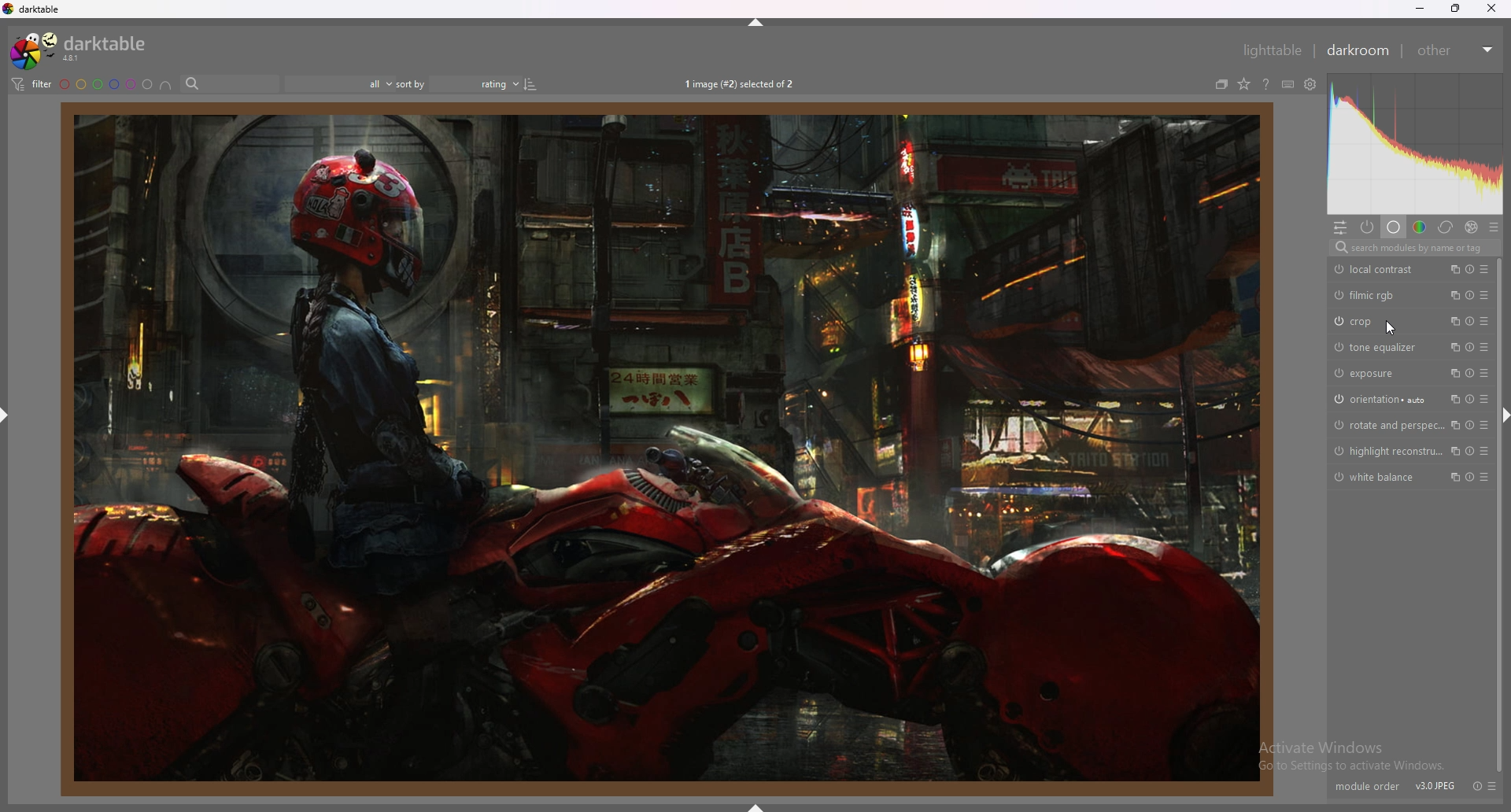 Image resolution: width=1511 pixels, height=812 pixels. What do you see at coordinates (1472, 227) in the screenshot?
I see `effect` at bounding box center [1472, 227].